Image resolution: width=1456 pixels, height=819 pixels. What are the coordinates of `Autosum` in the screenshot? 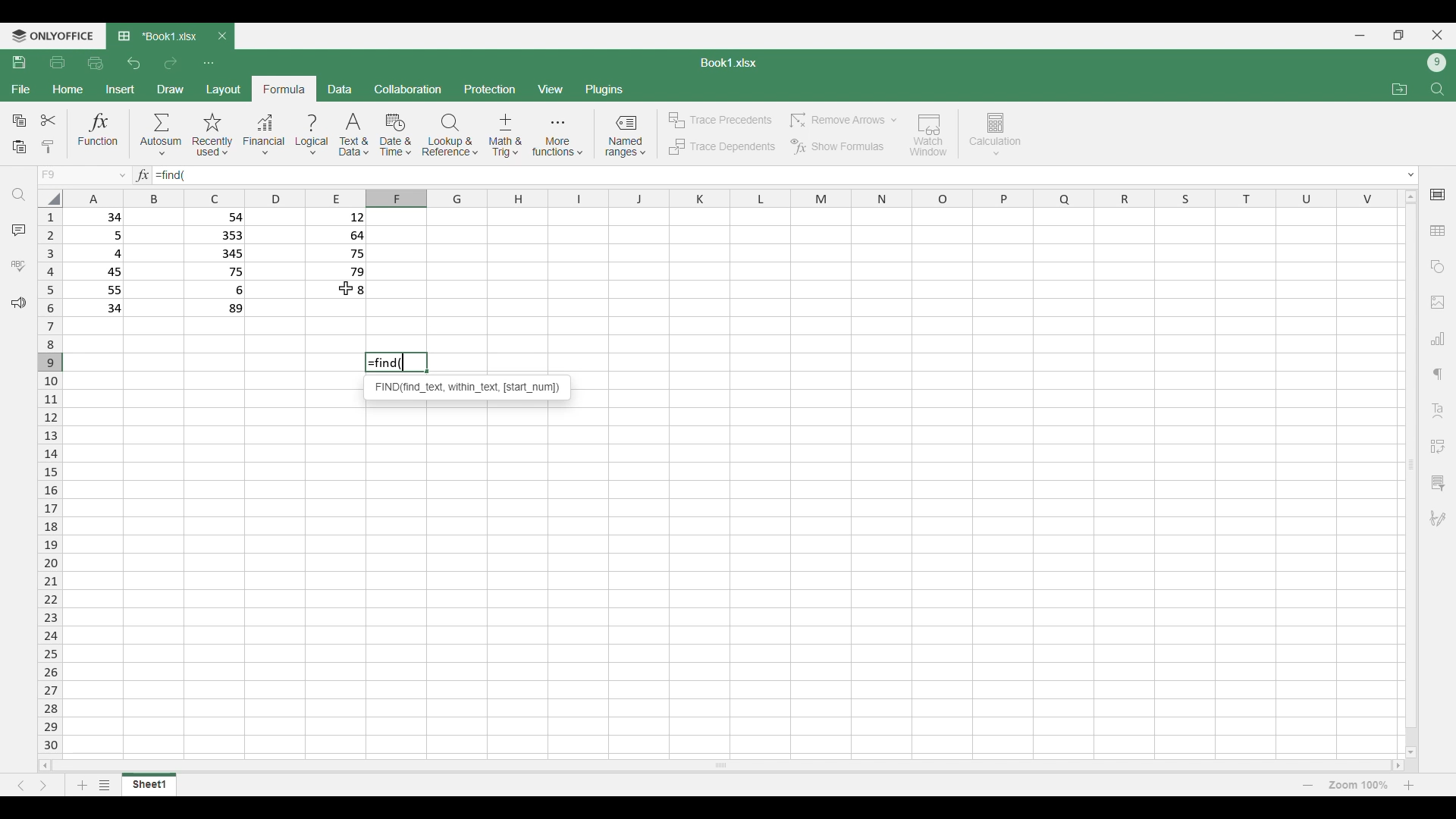 It's located at (162, 133).